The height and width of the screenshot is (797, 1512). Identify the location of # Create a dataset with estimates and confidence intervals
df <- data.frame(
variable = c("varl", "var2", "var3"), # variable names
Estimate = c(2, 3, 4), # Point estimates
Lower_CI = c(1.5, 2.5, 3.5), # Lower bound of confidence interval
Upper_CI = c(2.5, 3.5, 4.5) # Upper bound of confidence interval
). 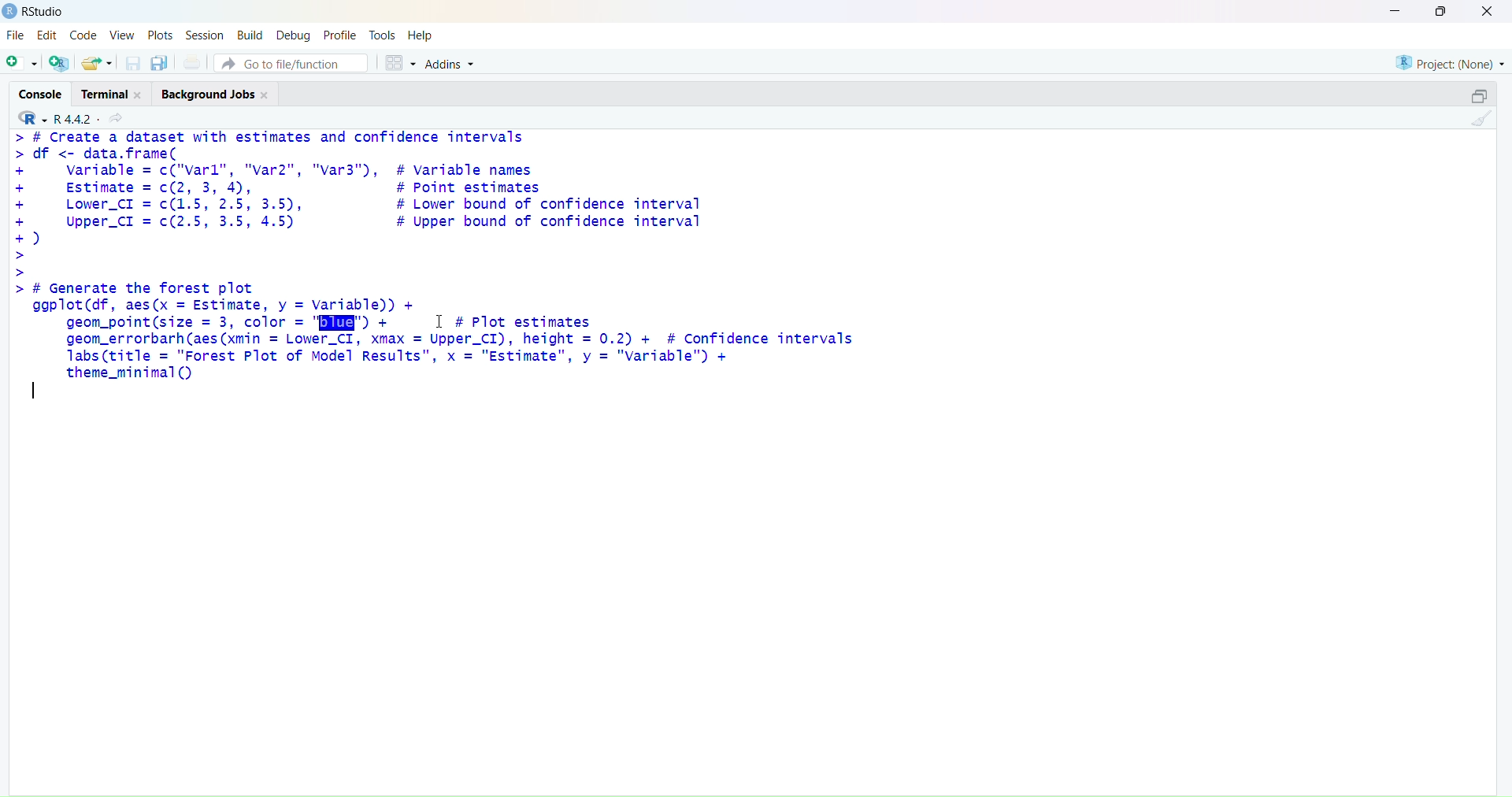
(367, 204).